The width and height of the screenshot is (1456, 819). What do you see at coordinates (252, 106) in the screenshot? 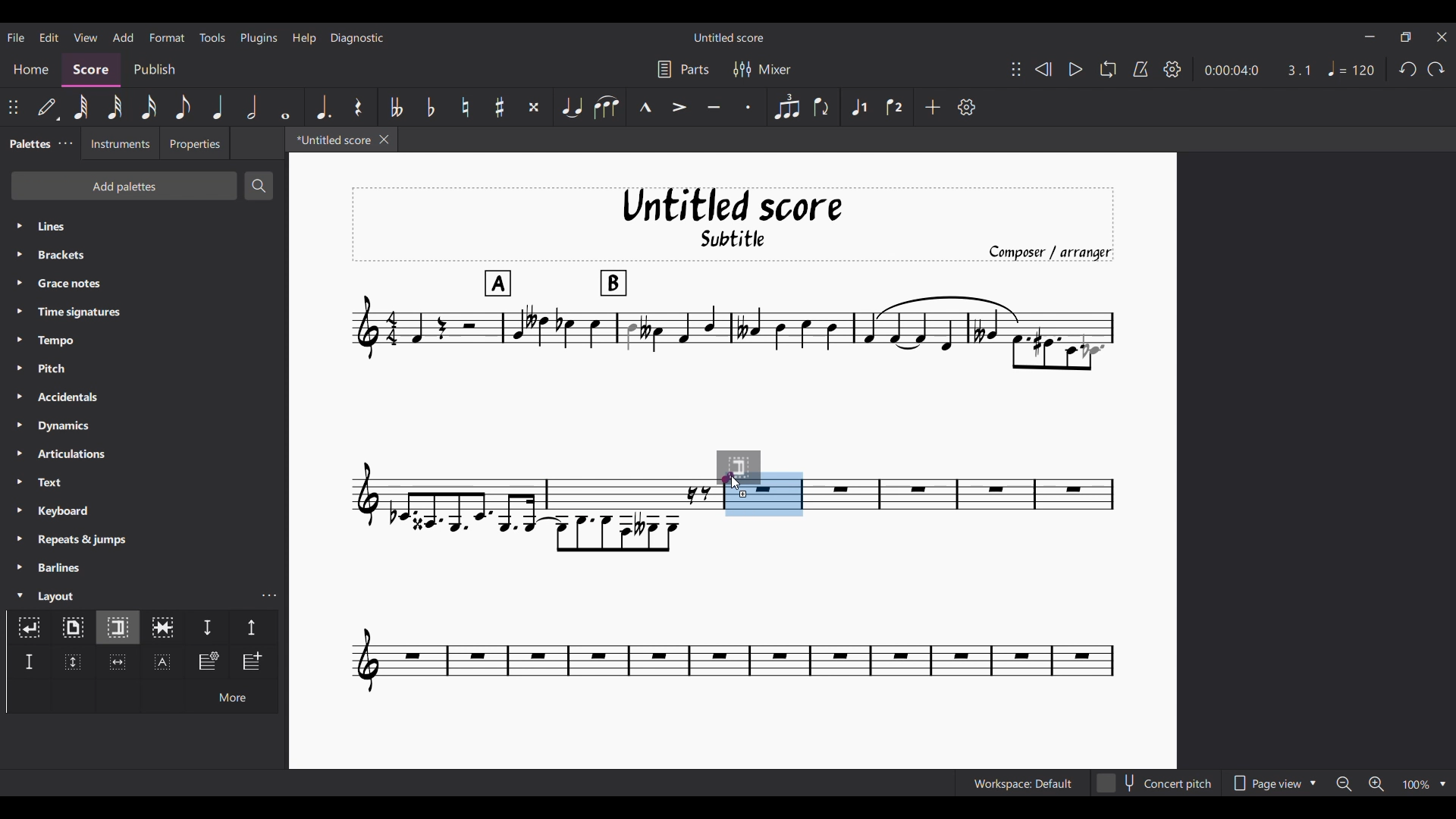
I see `Half note` at bounding box center [252, 106].